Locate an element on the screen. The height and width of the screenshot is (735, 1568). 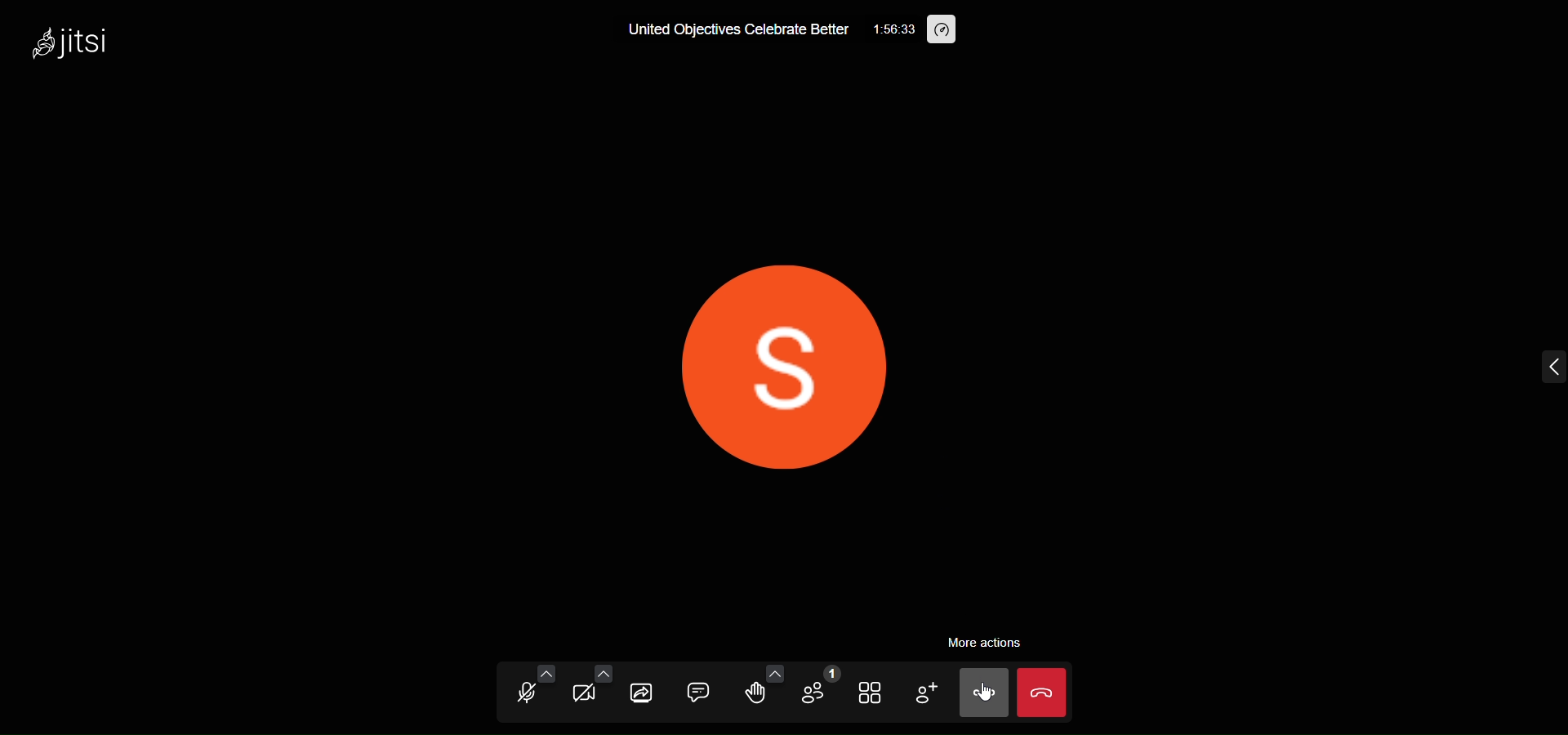
microphone is located at coordinates (525, 694).